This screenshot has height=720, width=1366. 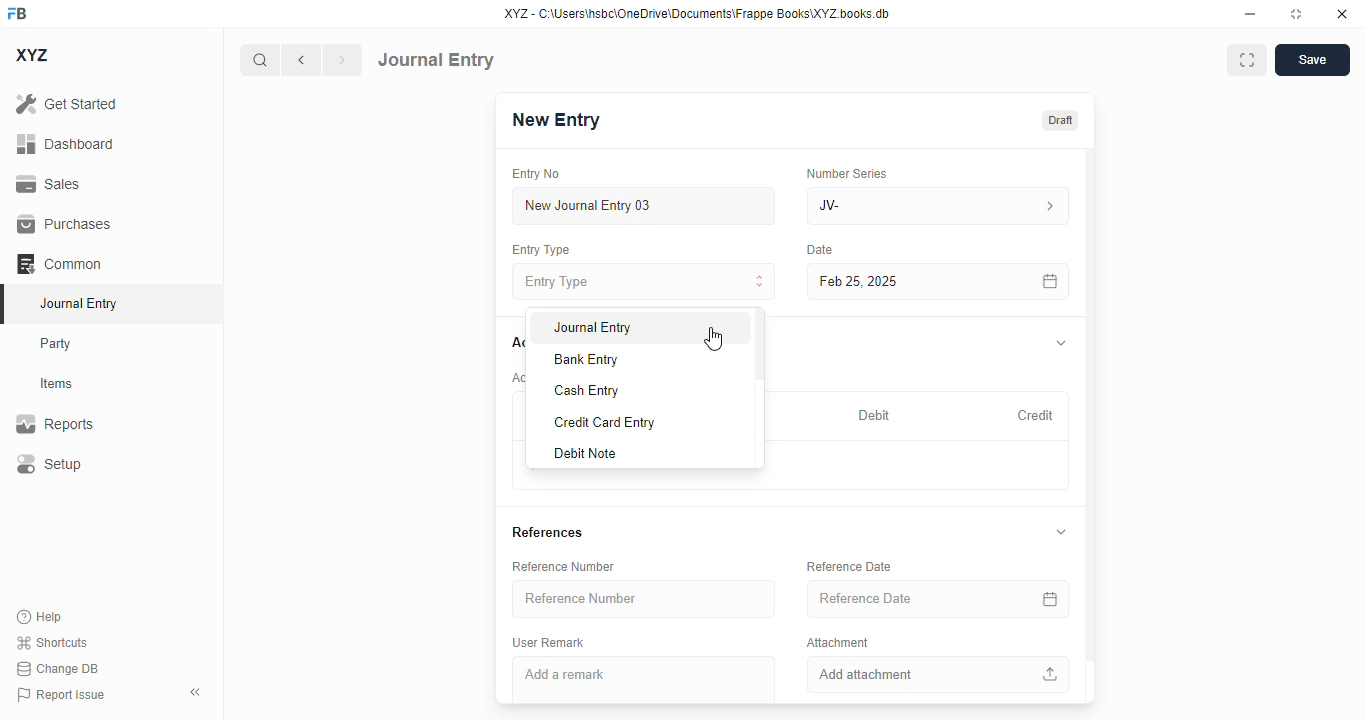 I want to click on search, so click(x=259, y=60).